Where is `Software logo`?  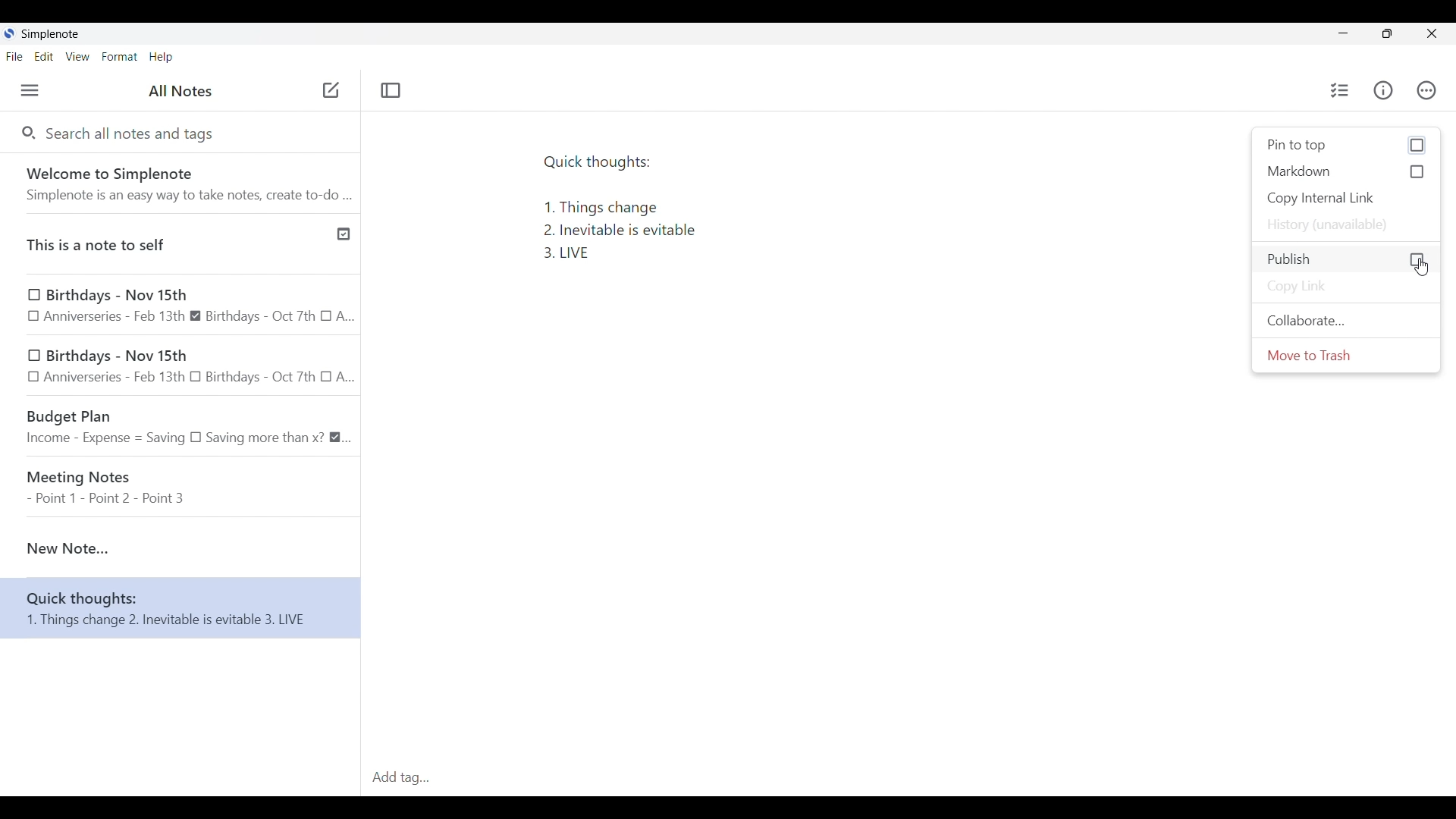 Software logo is located at coordinates (10, 33).